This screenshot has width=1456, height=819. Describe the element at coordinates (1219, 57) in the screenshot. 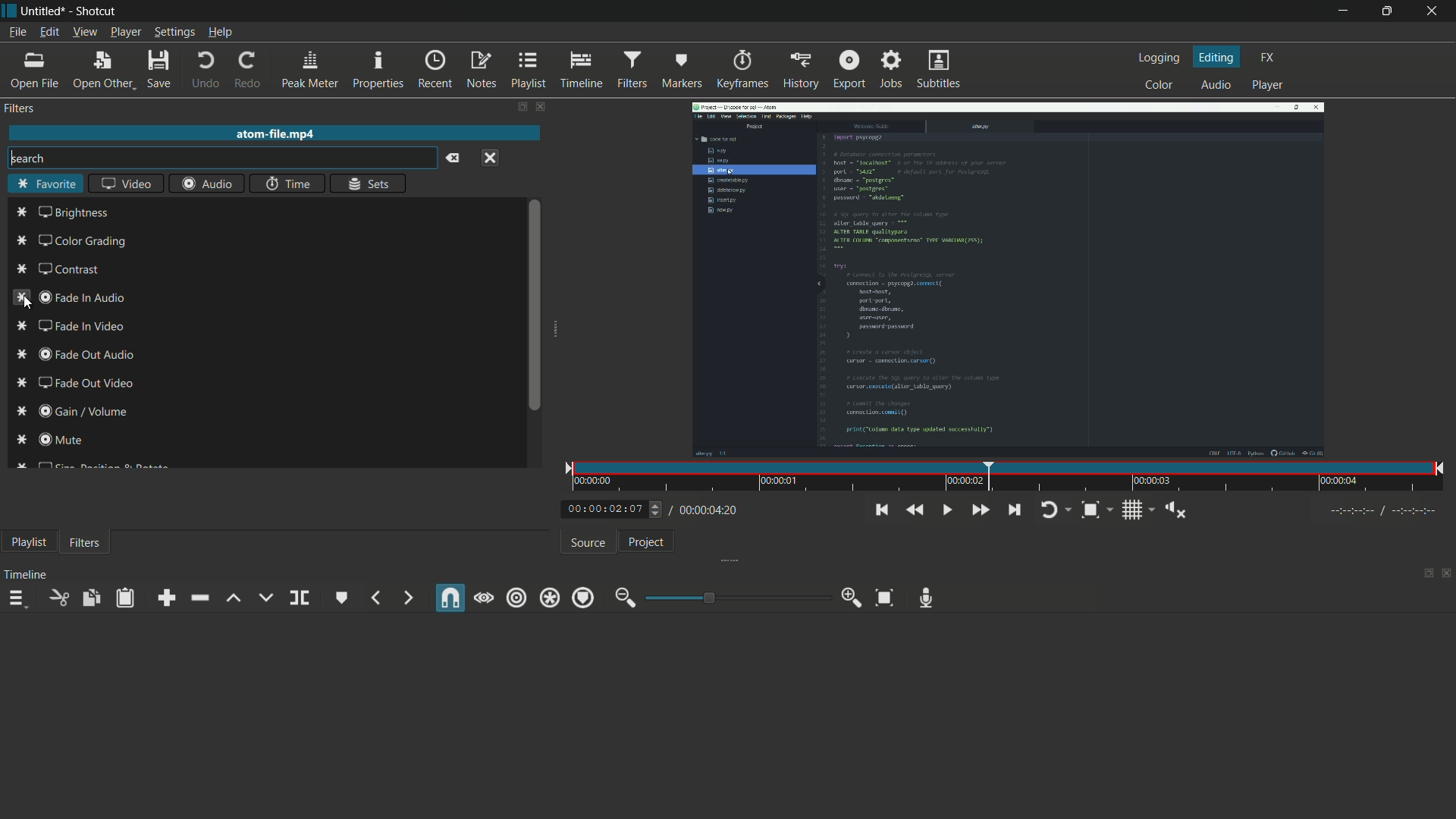

I see `editing` at that location.